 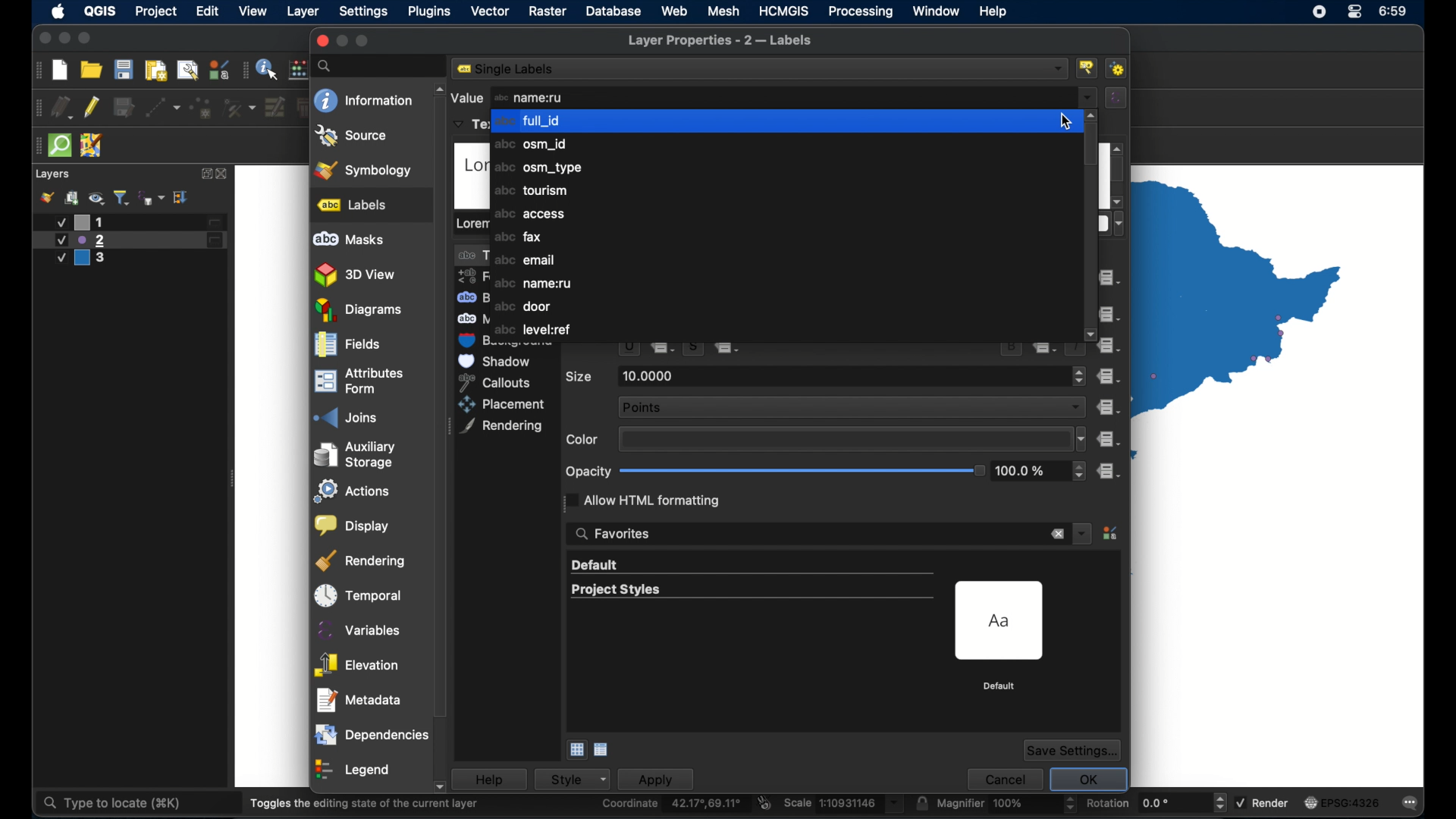 What do you see at coordinates (152, 198) in the screenshot?
I see `filter legend by expression` at bounding box center [152, 198].